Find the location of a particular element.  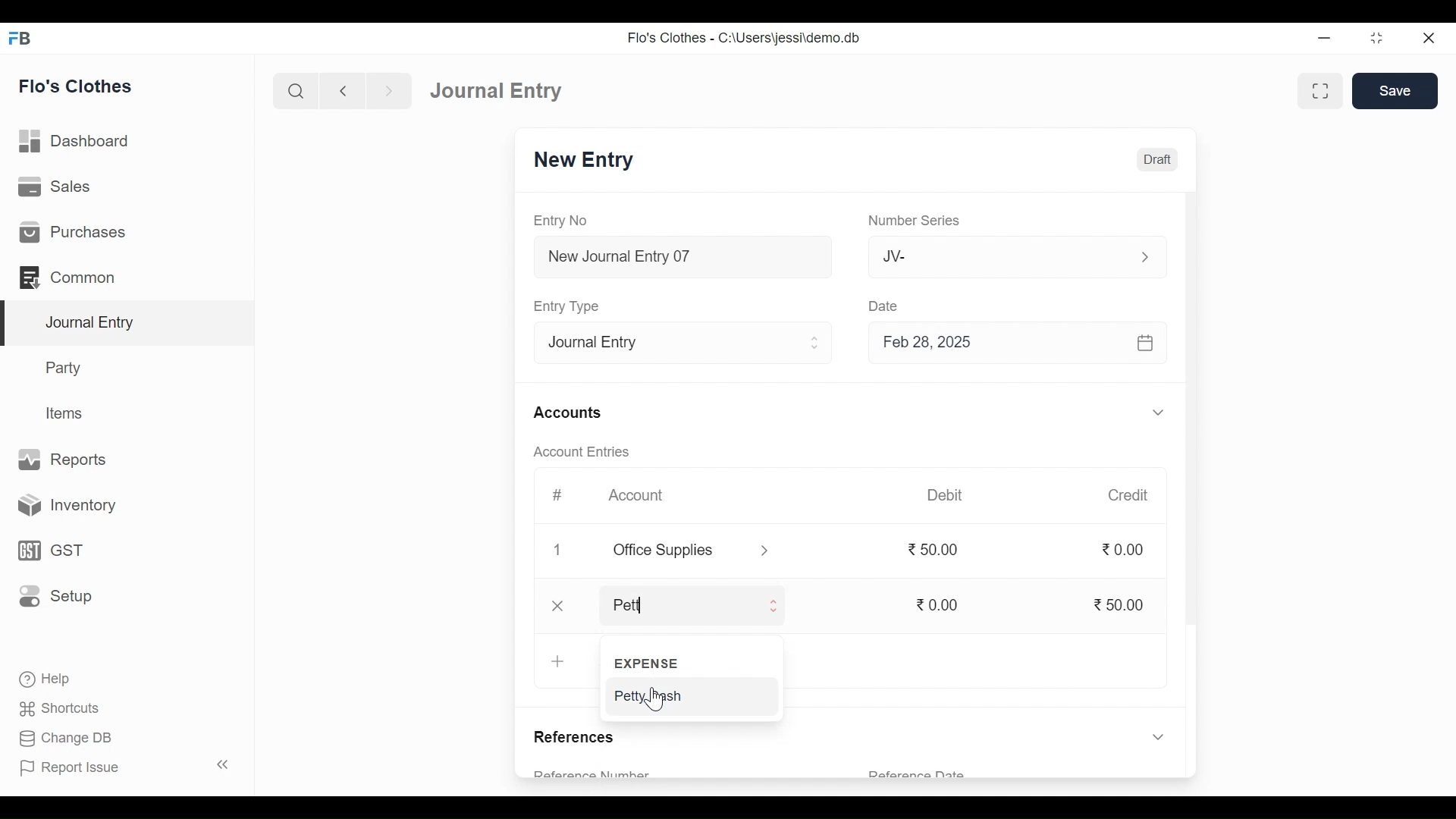

minimize is located at coordinates (1324, 39).